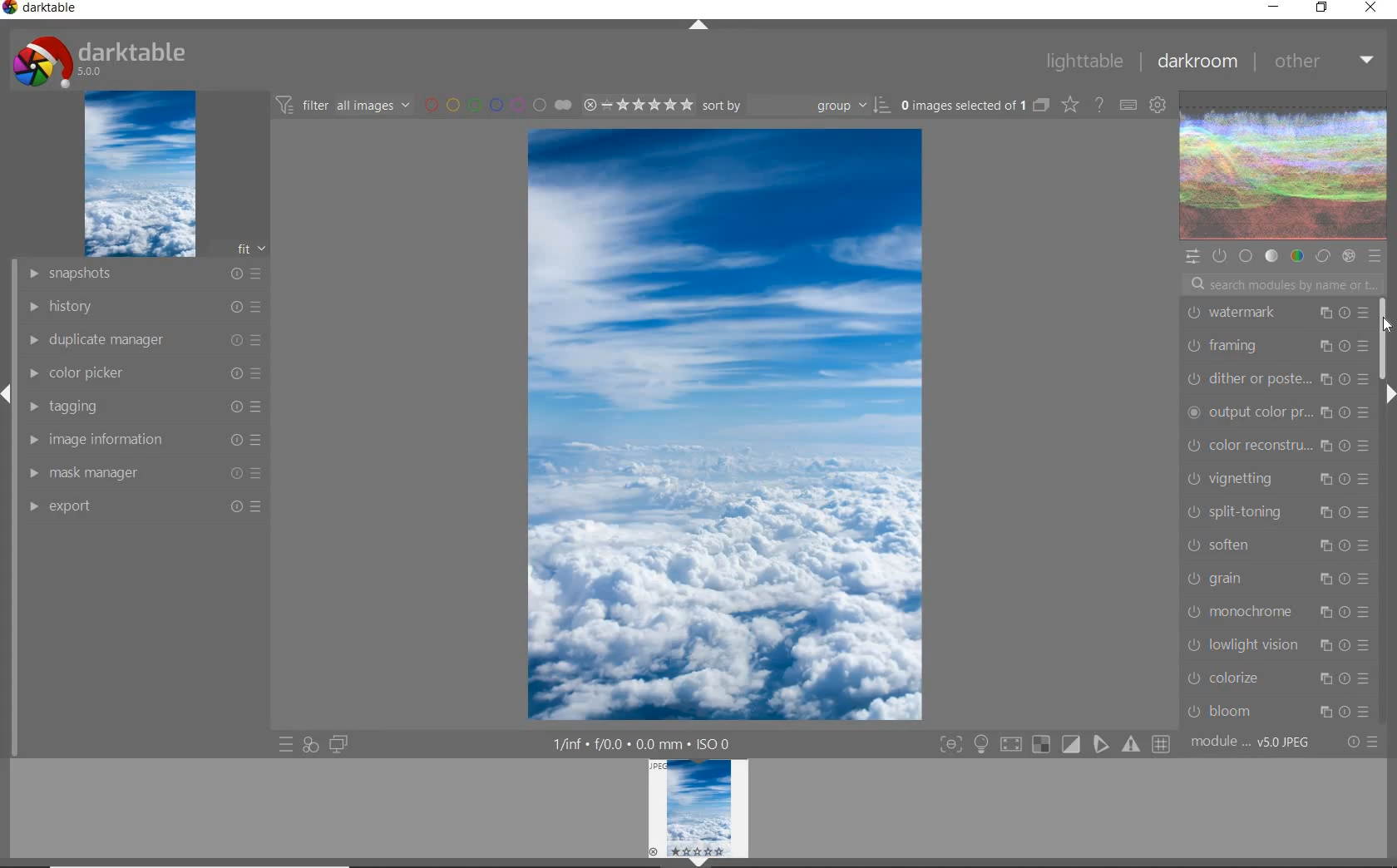 This screenshot has width=1397, height=868. Describe the element at coordinates (645, 742) in the screenshot. I see `1/inf f/0.0 0.0 mm ISO 0` at that location.